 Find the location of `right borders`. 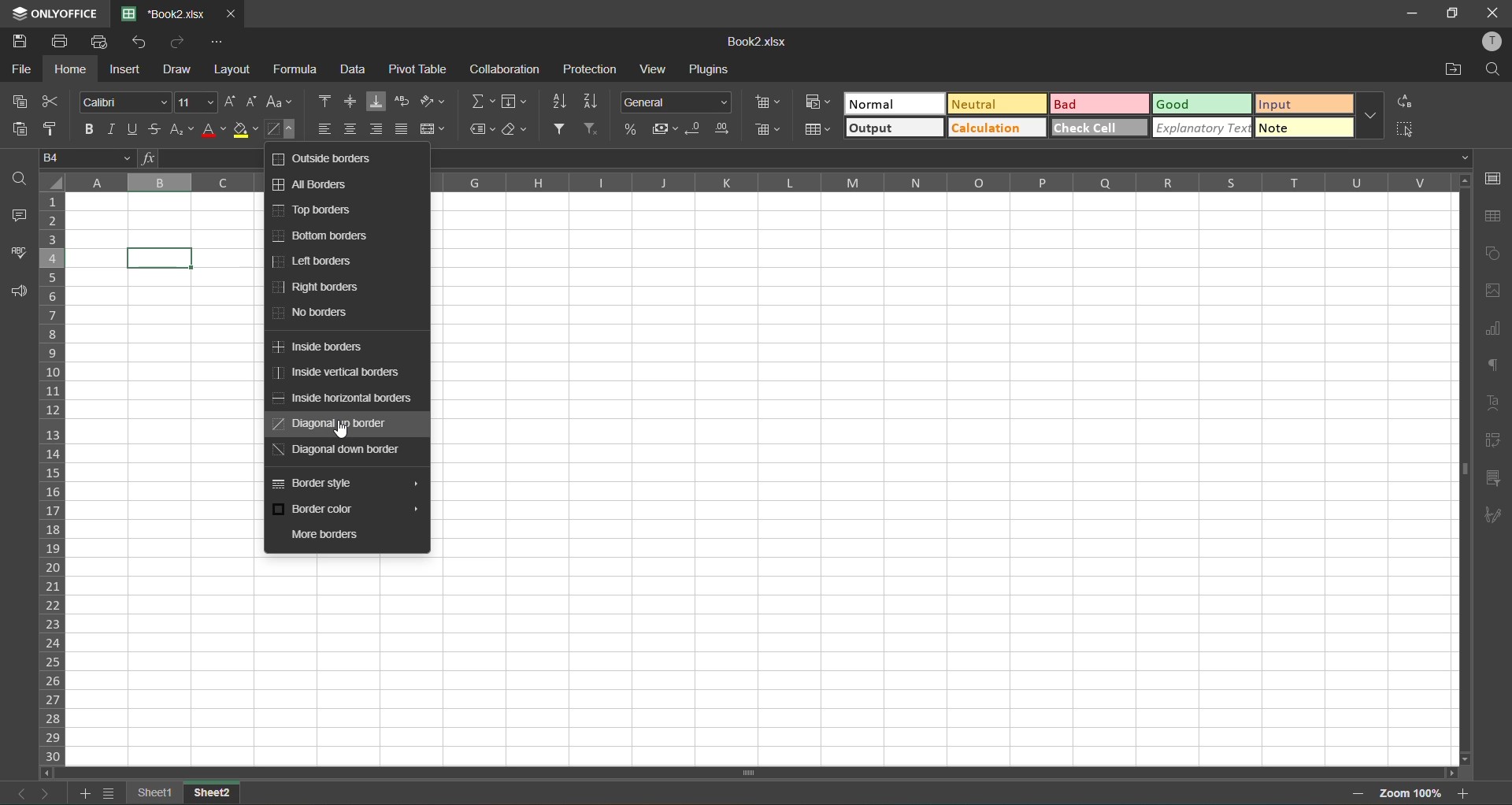

right borders is located at coordinates (318, 287).